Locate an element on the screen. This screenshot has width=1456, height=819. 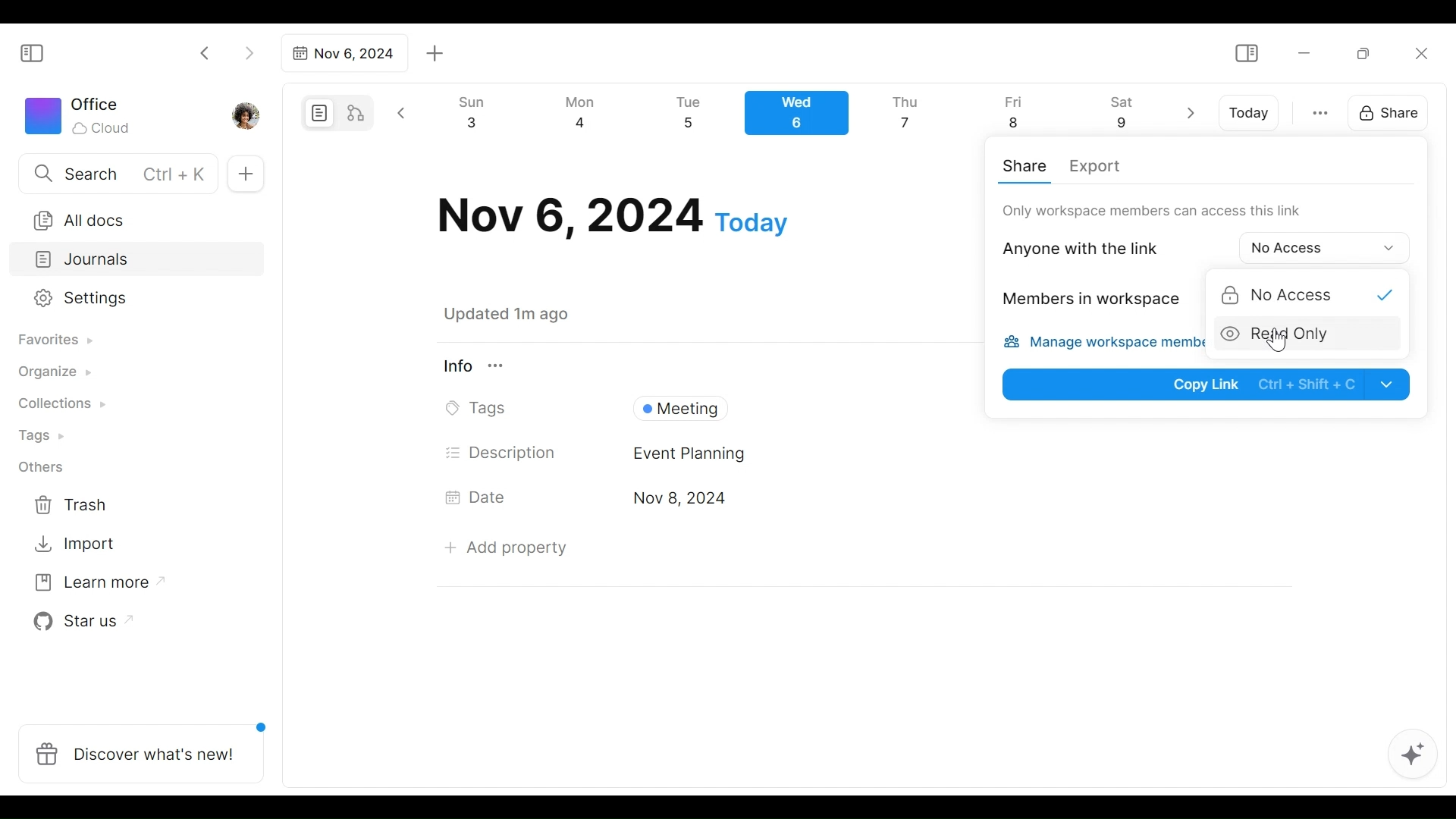
Add Property is located at coordinates (506, 548).